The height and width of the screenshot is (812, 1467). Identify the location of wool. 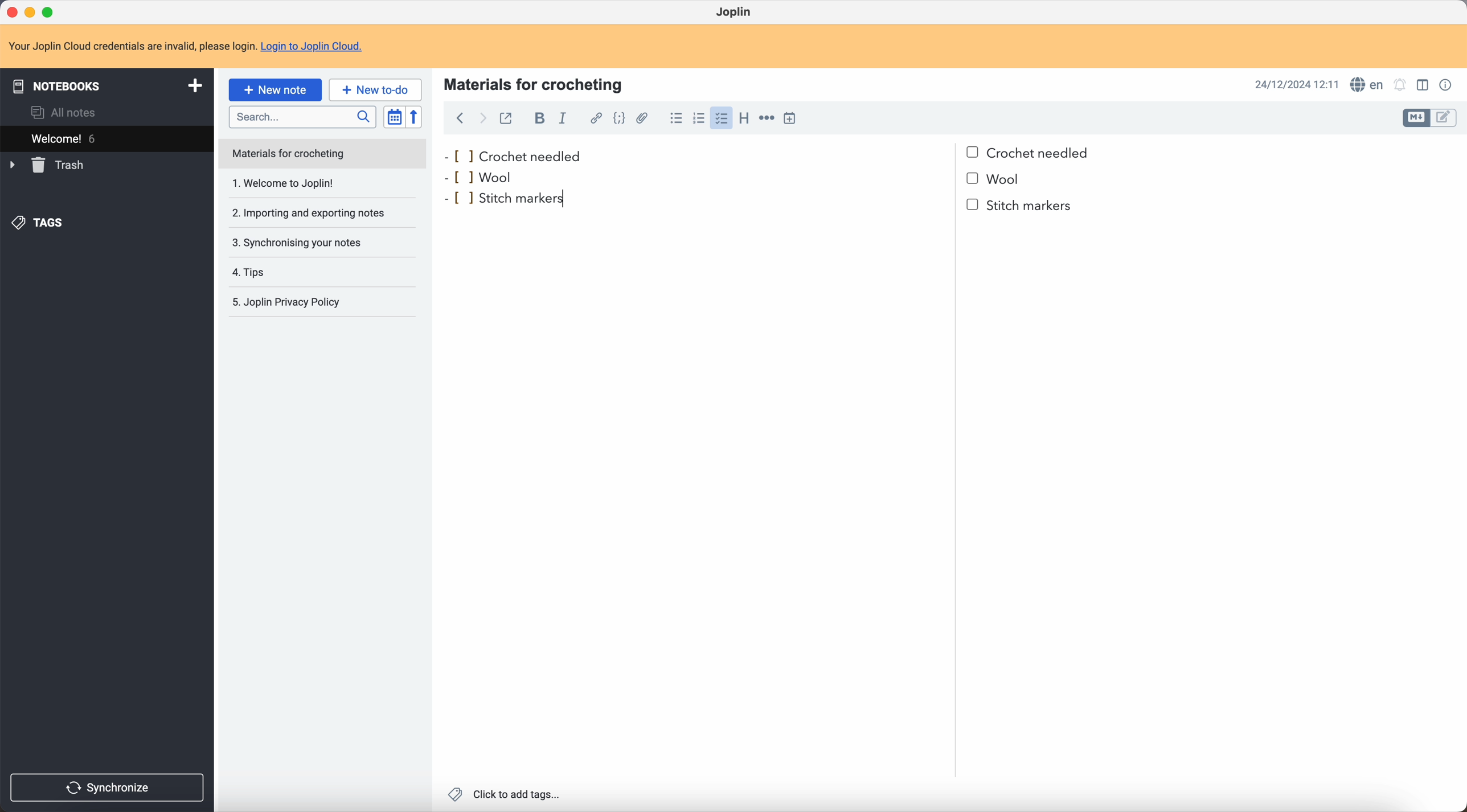
(495, 177).